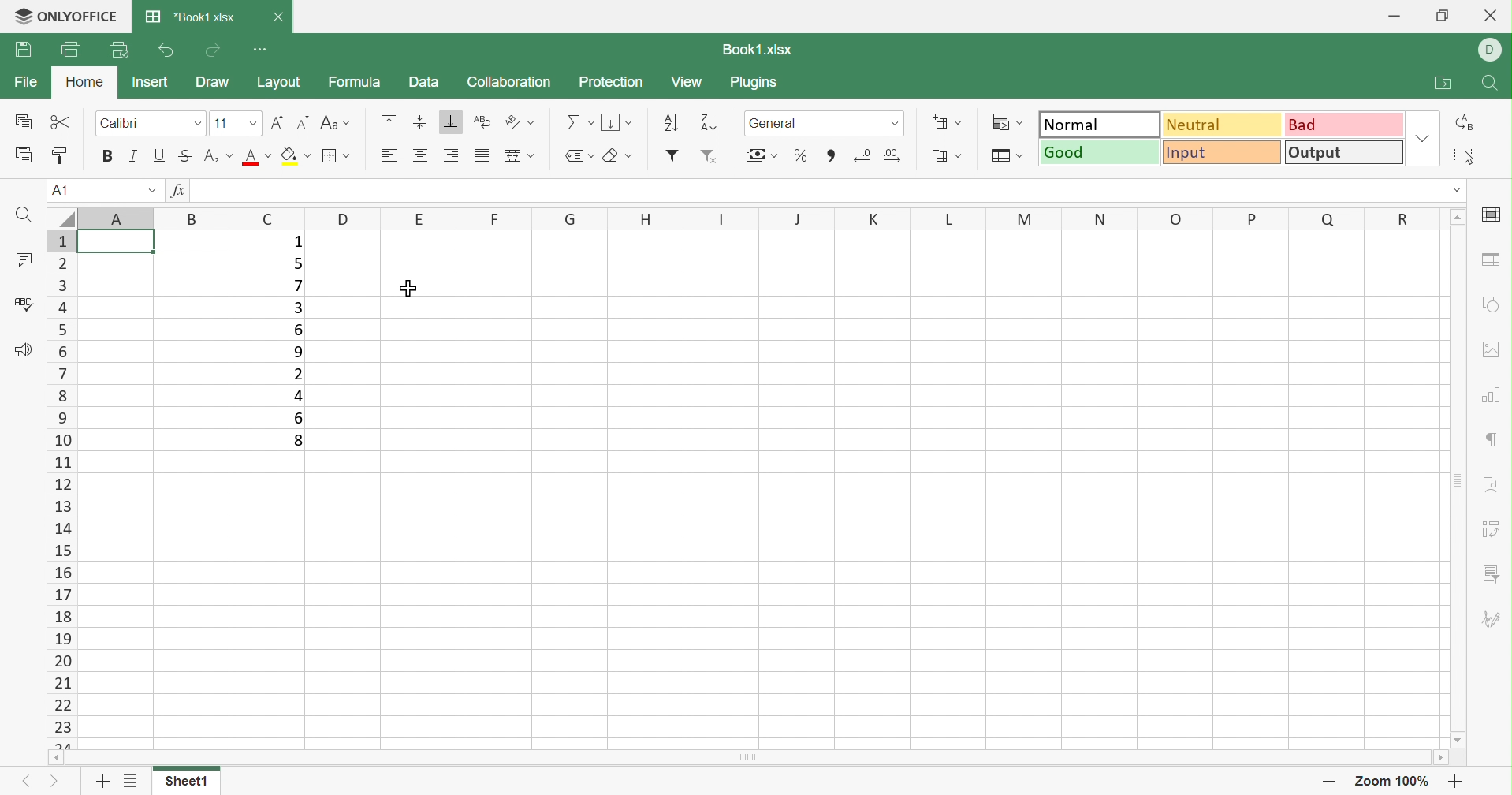  Describe the element at coordinates (23, 303) in the screenshot. I see `Check Spelling` at that location.